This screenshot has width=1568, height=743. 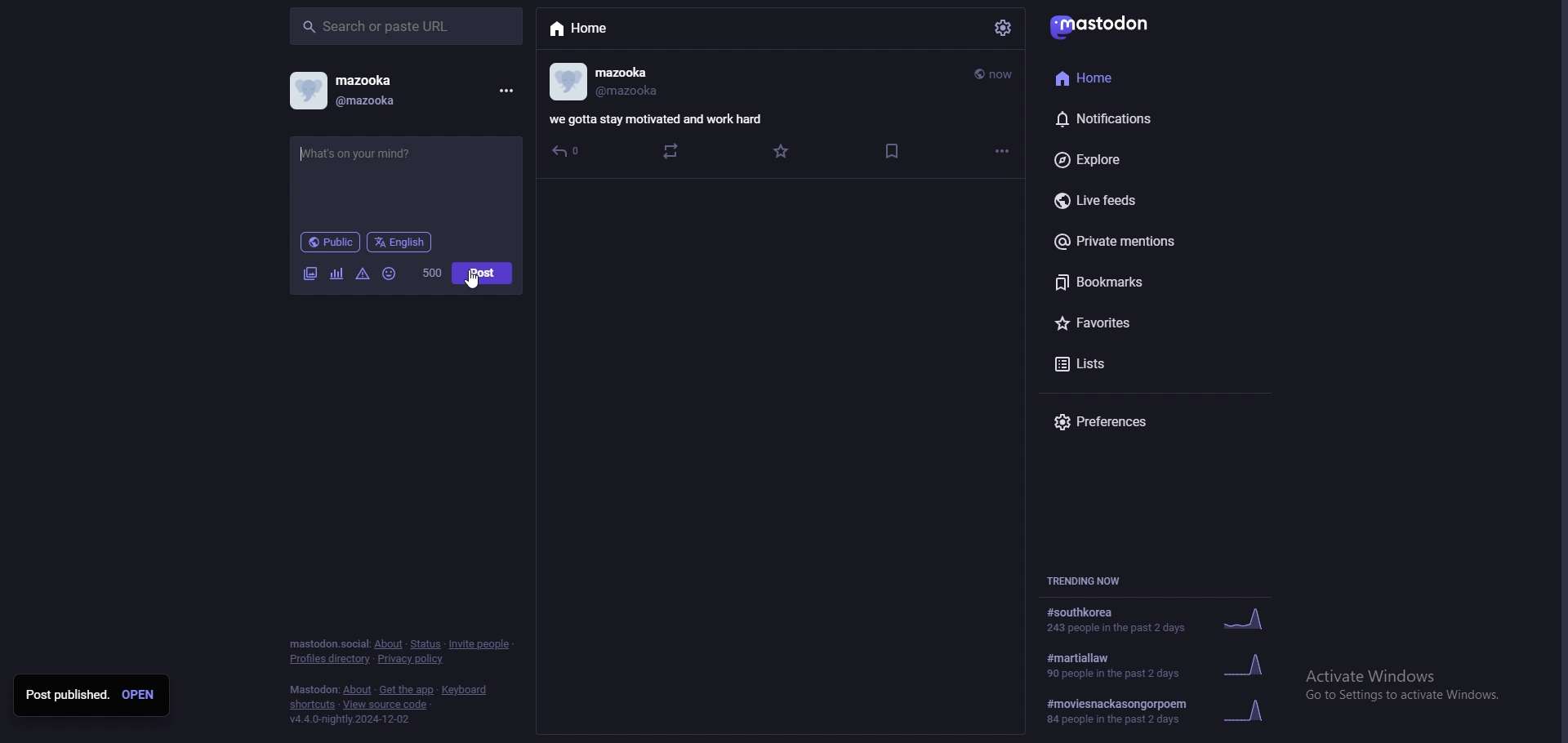 What do you see at coordinates (580, 29) in the screenshot?
I see `Home` at bounding box center [580, 29].